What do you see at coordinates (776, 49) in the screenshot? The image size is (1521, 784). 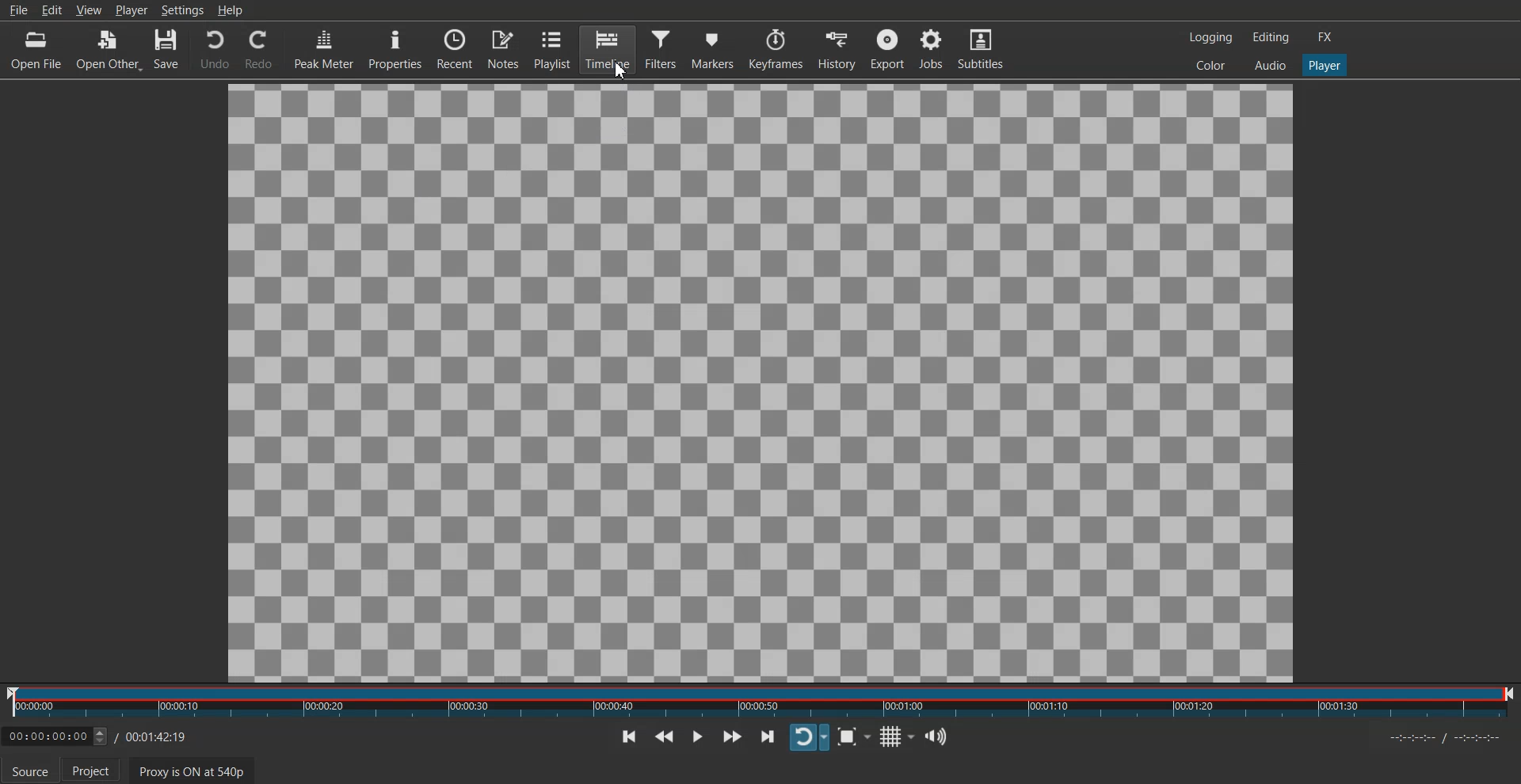 I see `Keyframes` at bounding box center [776, 49].